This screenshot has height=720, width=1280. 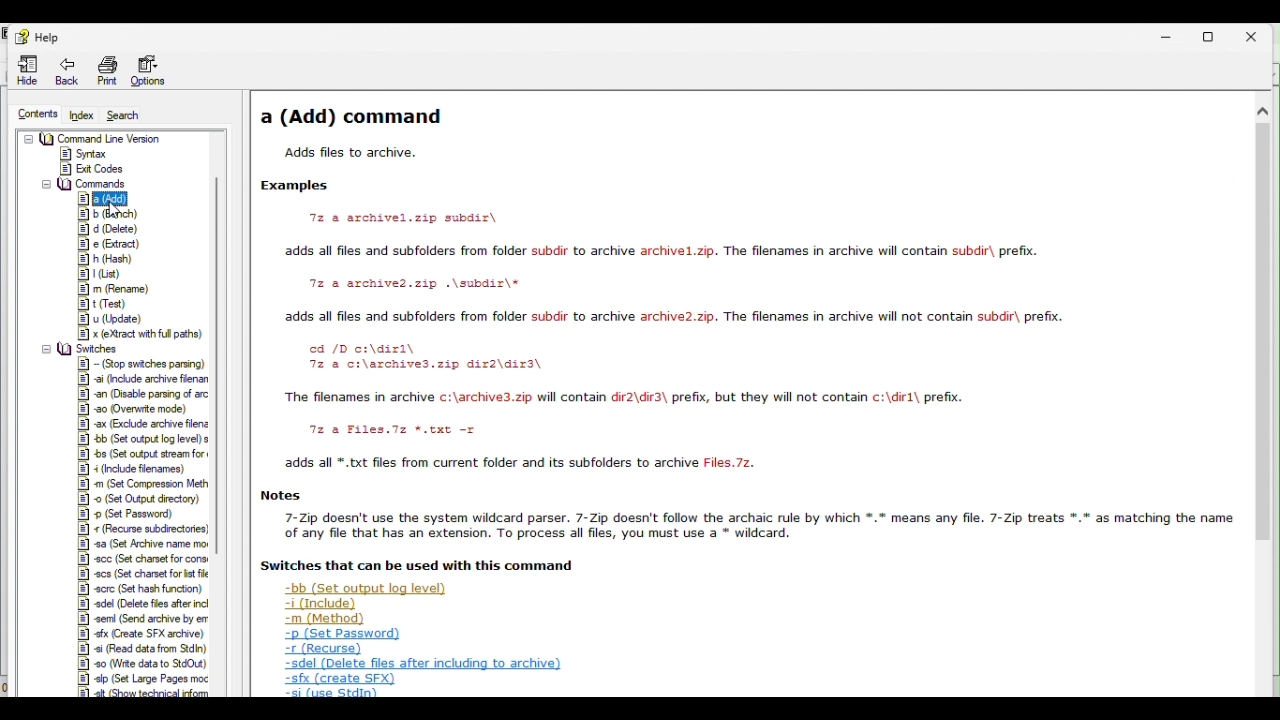 I want to click on command line, so click(x=92, y=138).